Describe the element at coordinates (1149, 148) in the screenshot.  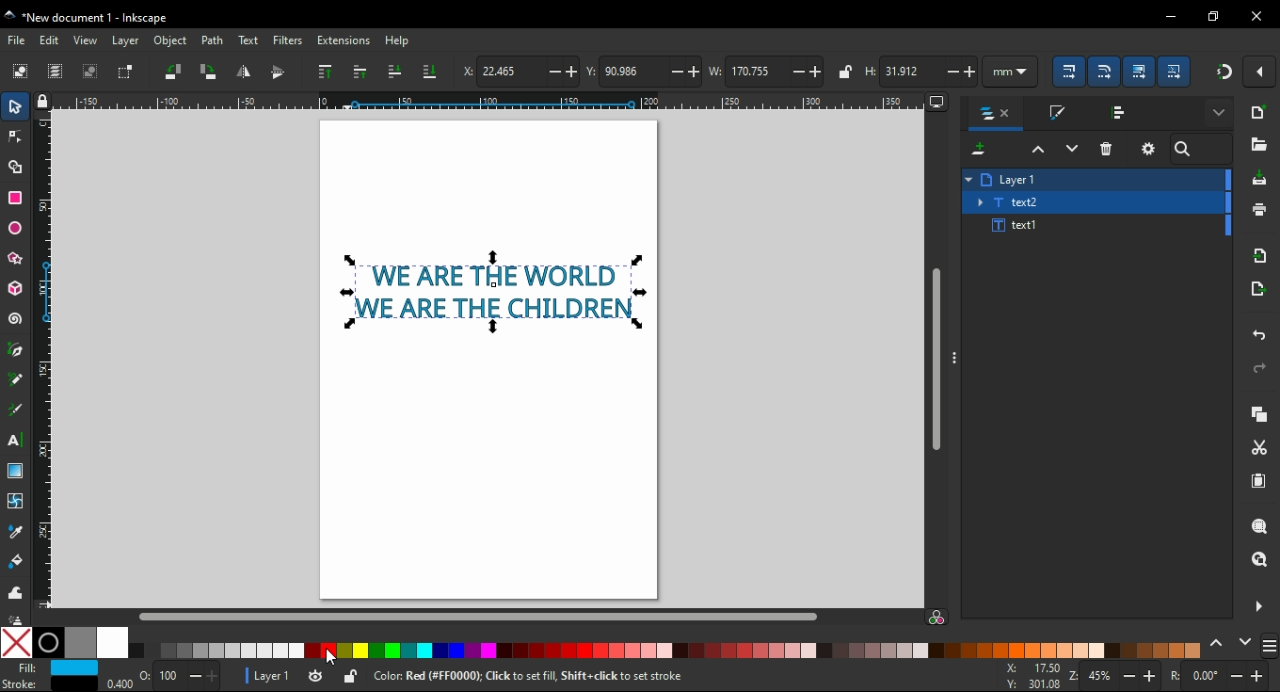
I see `layer settings` at that location.